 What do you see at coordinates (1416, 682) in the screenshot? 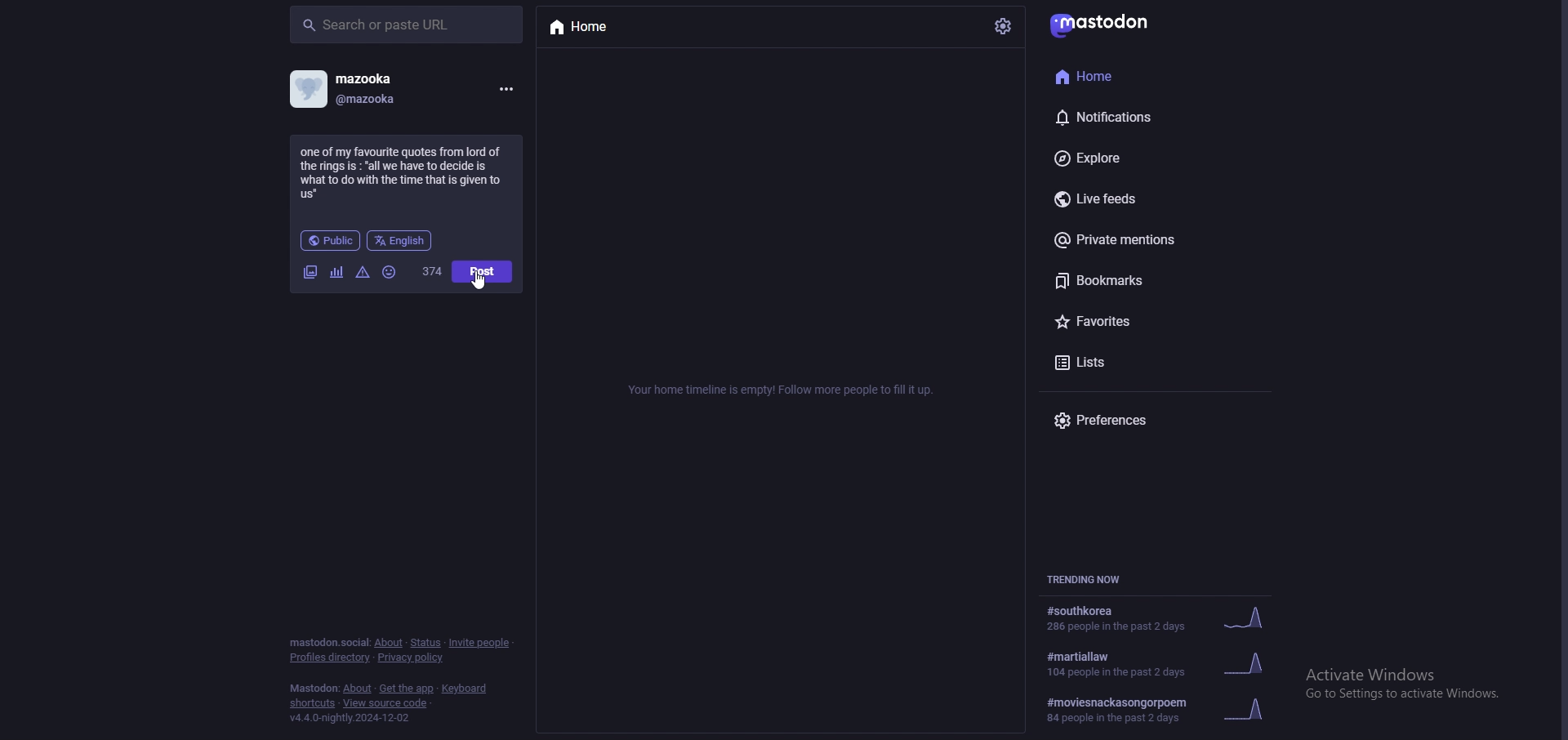
I see `Windows activation prompt` at bounding box center [1416, 682].